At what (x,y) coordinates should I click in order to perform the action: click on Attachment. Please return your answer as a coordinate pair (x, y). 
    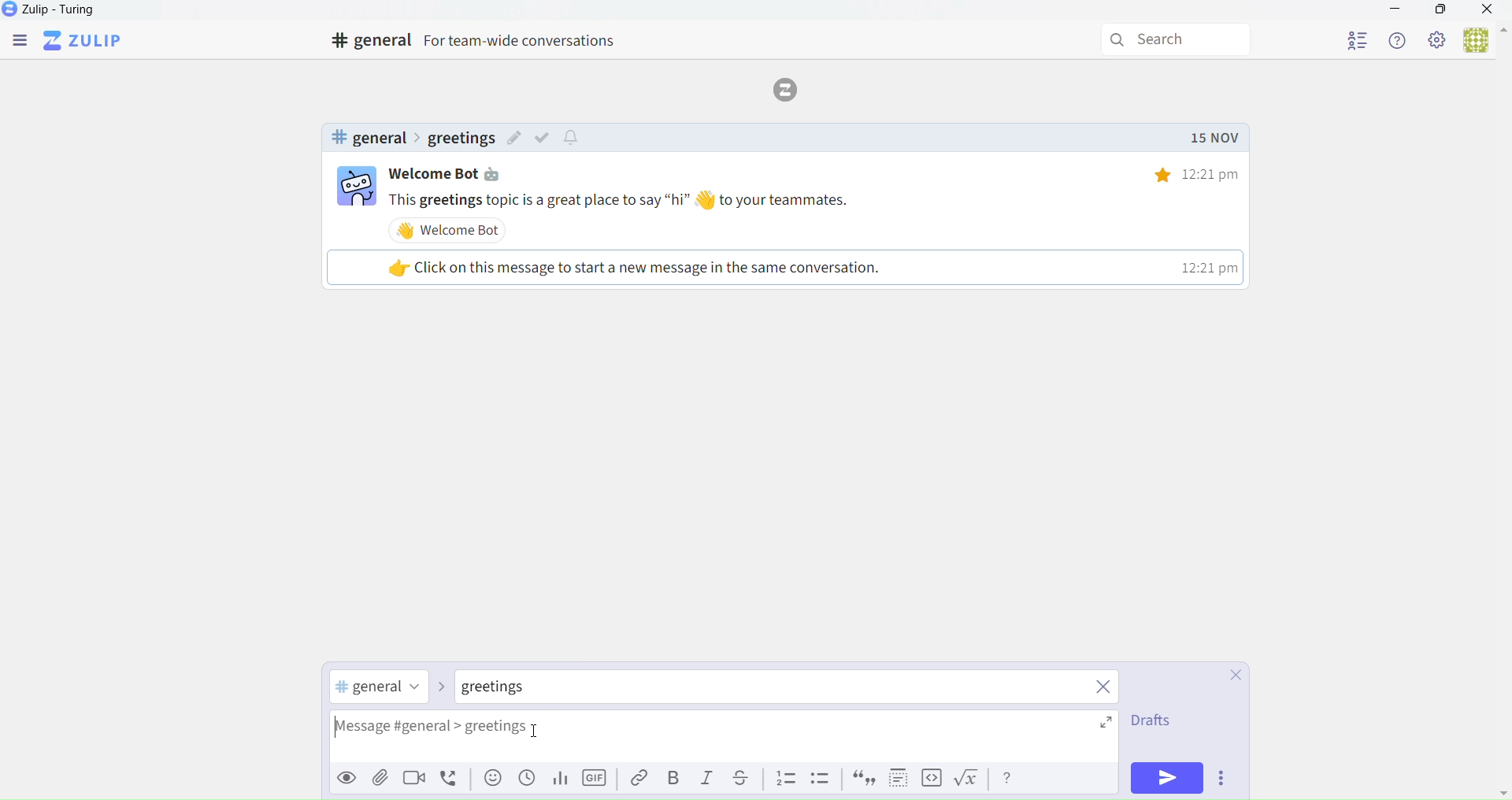
    Looking at the image, I should click on (381, 780).